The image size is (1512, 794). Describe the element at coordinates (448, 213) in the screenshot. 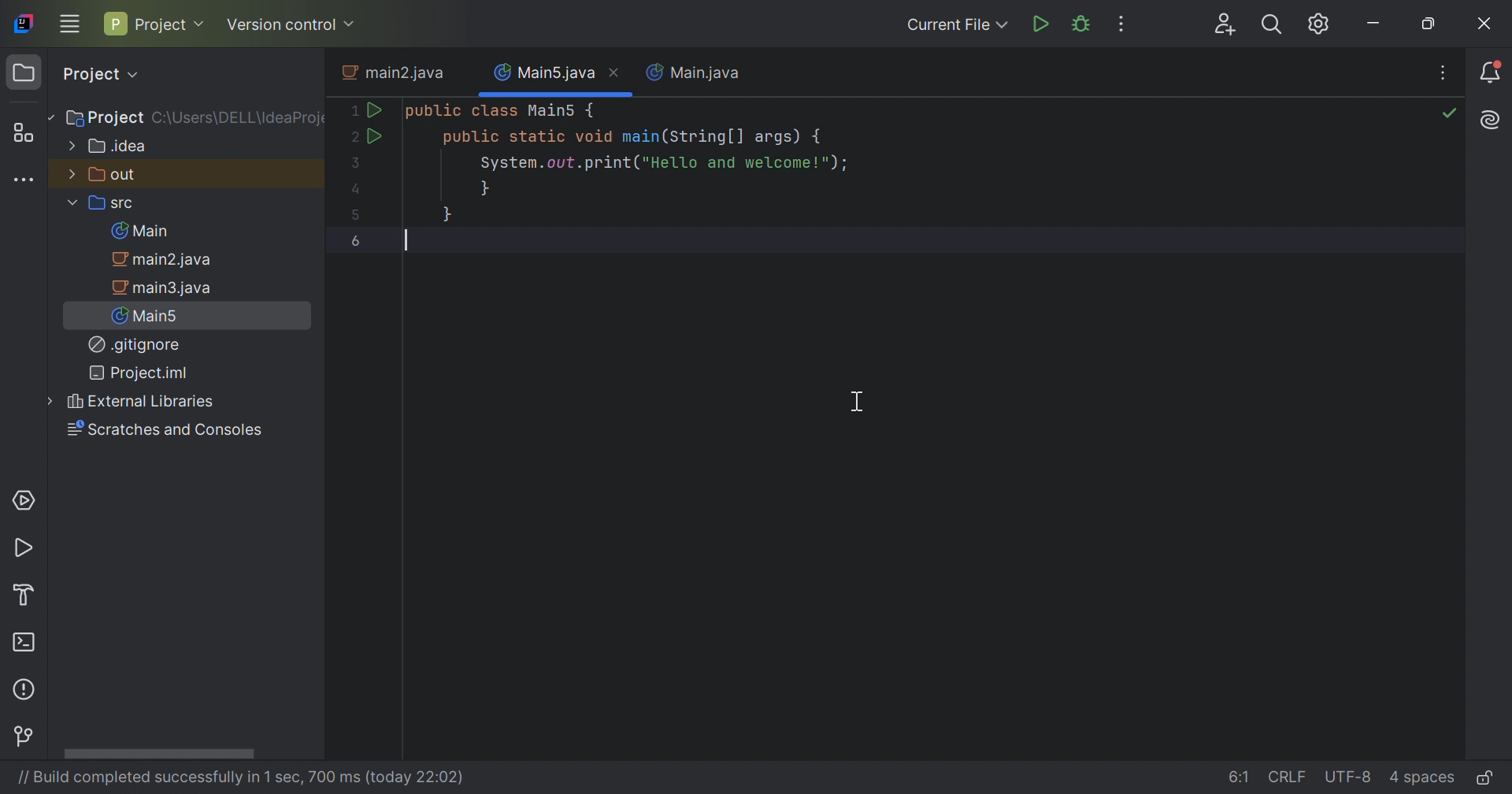

I see `}` at that location.